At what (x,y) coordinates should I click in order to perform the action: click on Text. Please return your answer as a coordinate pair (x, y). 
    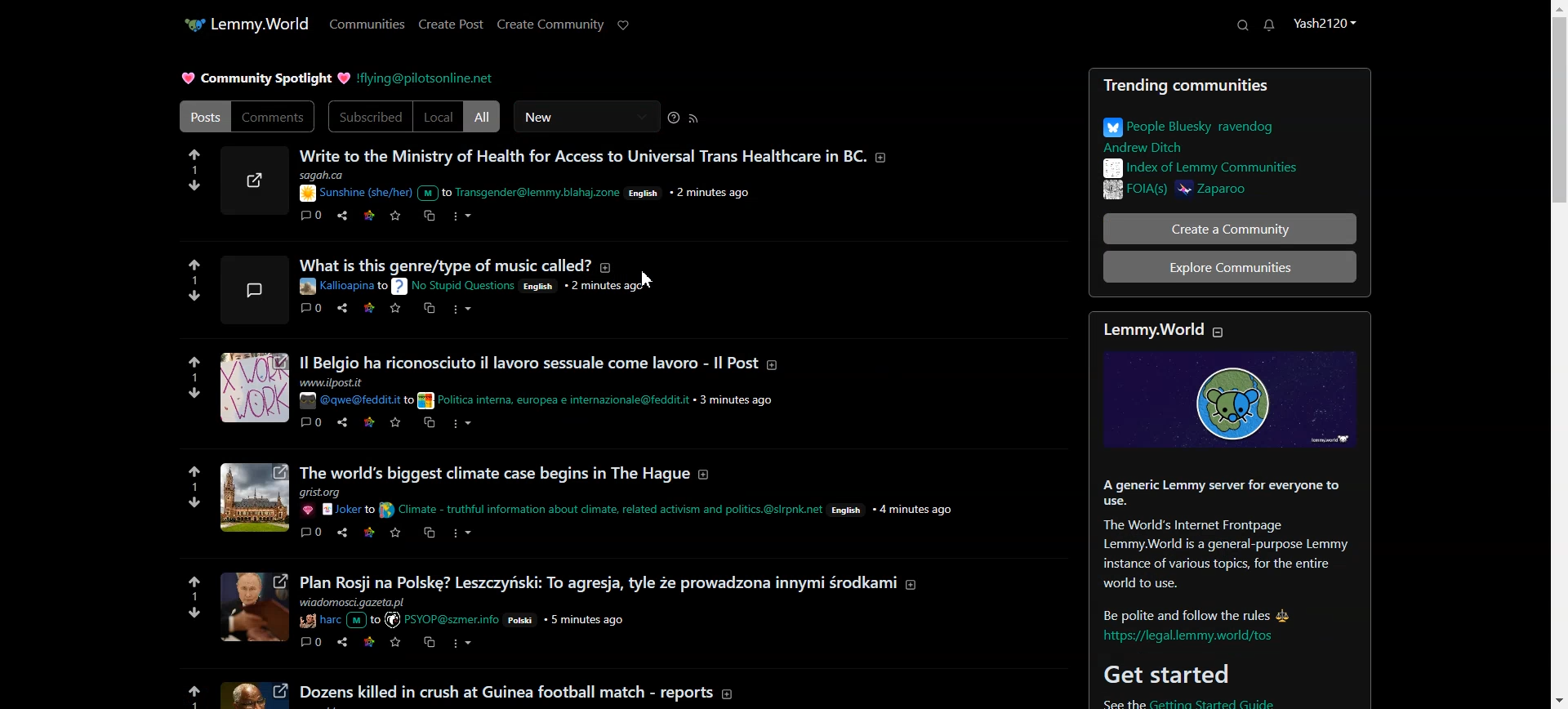
    Looking at the image, I should click on (1224, 167).